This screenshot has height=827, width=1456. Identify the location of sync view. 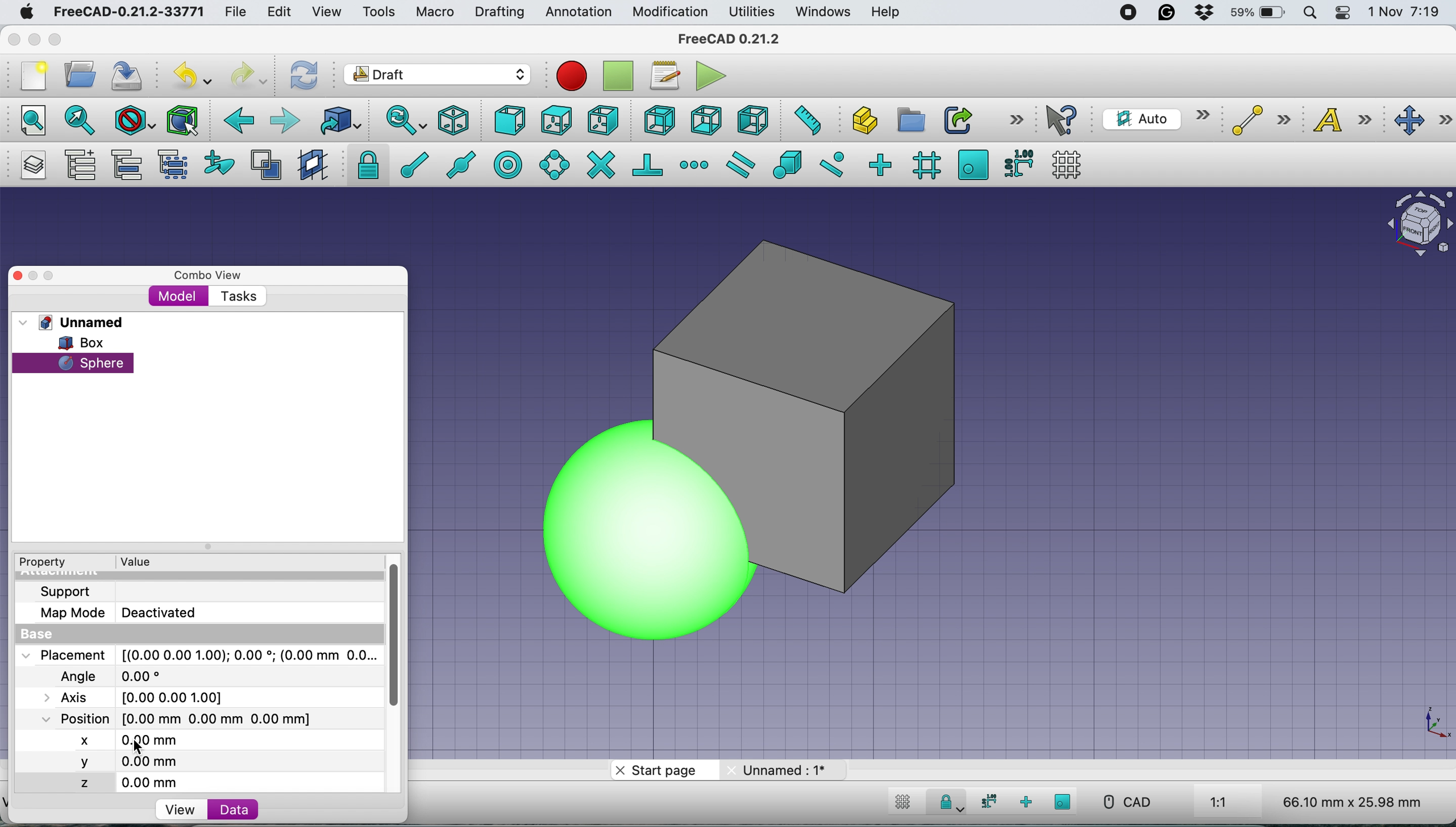
(399, 122).